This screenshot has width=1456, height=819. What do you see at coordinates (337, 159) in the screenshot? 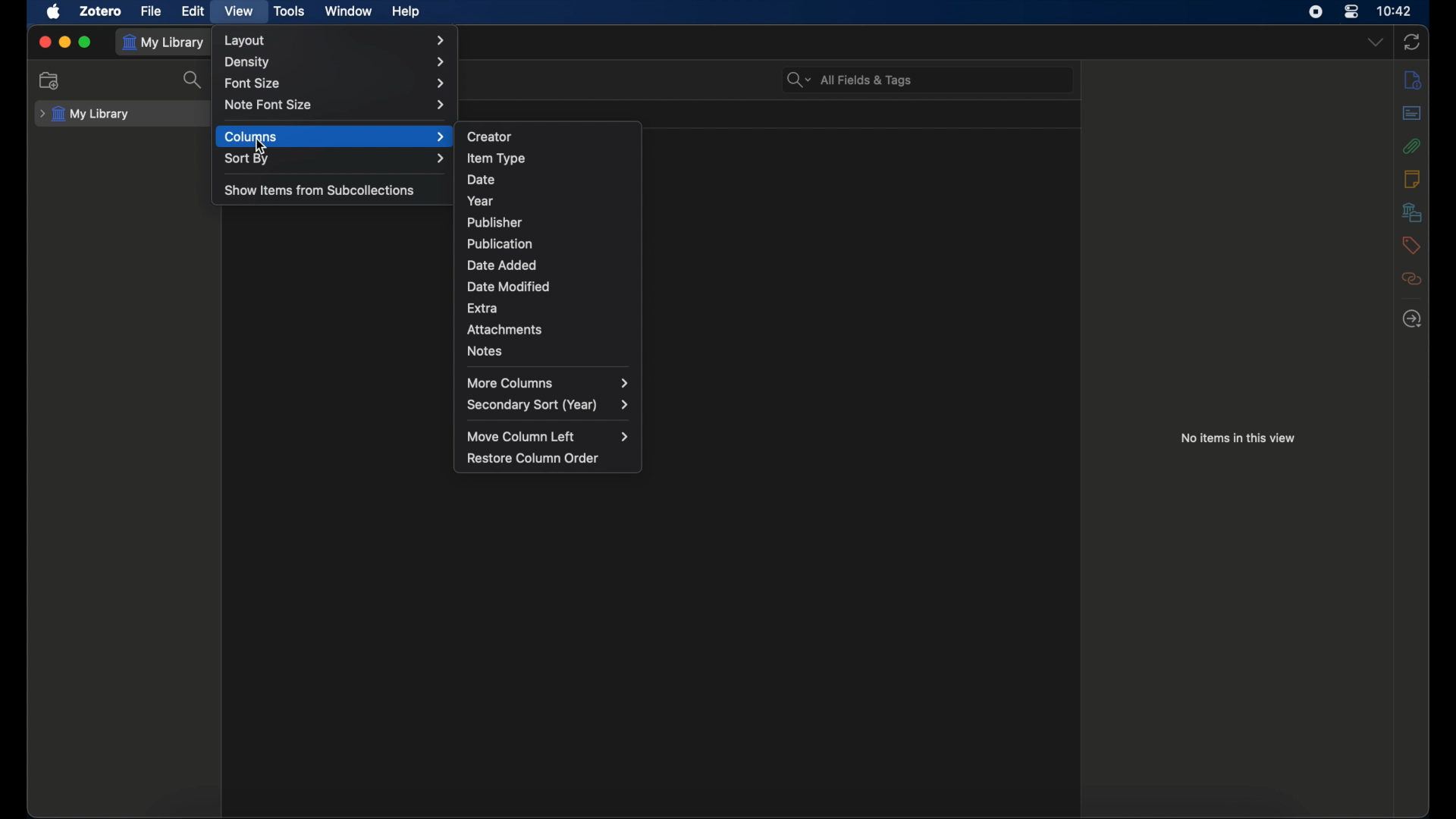
I see `sort by` at bounding box center [337, 159].